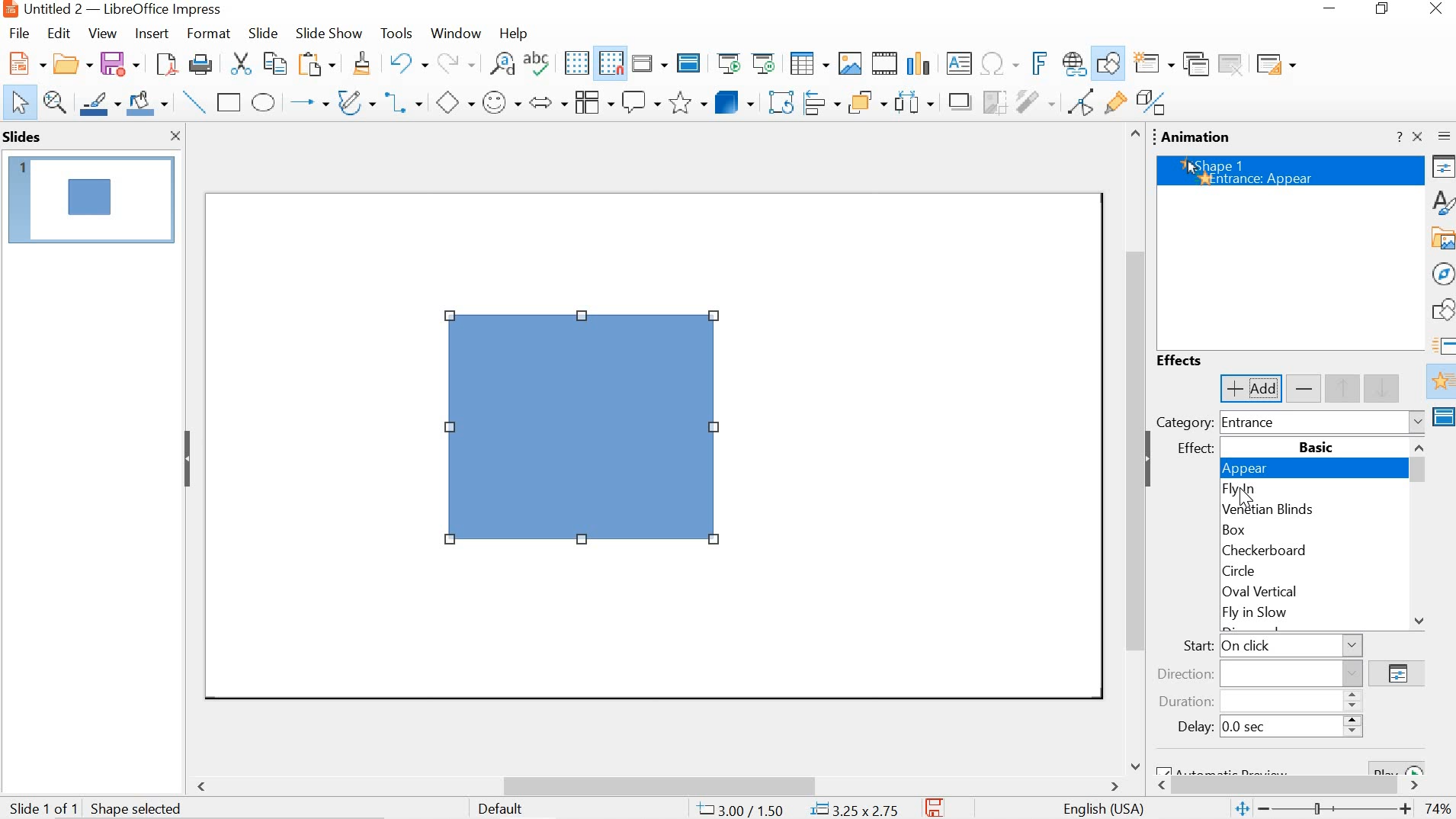  What do you see at coordinates (809, 62) in the screenshot?
I see `table` at bounding box center [809, 62].